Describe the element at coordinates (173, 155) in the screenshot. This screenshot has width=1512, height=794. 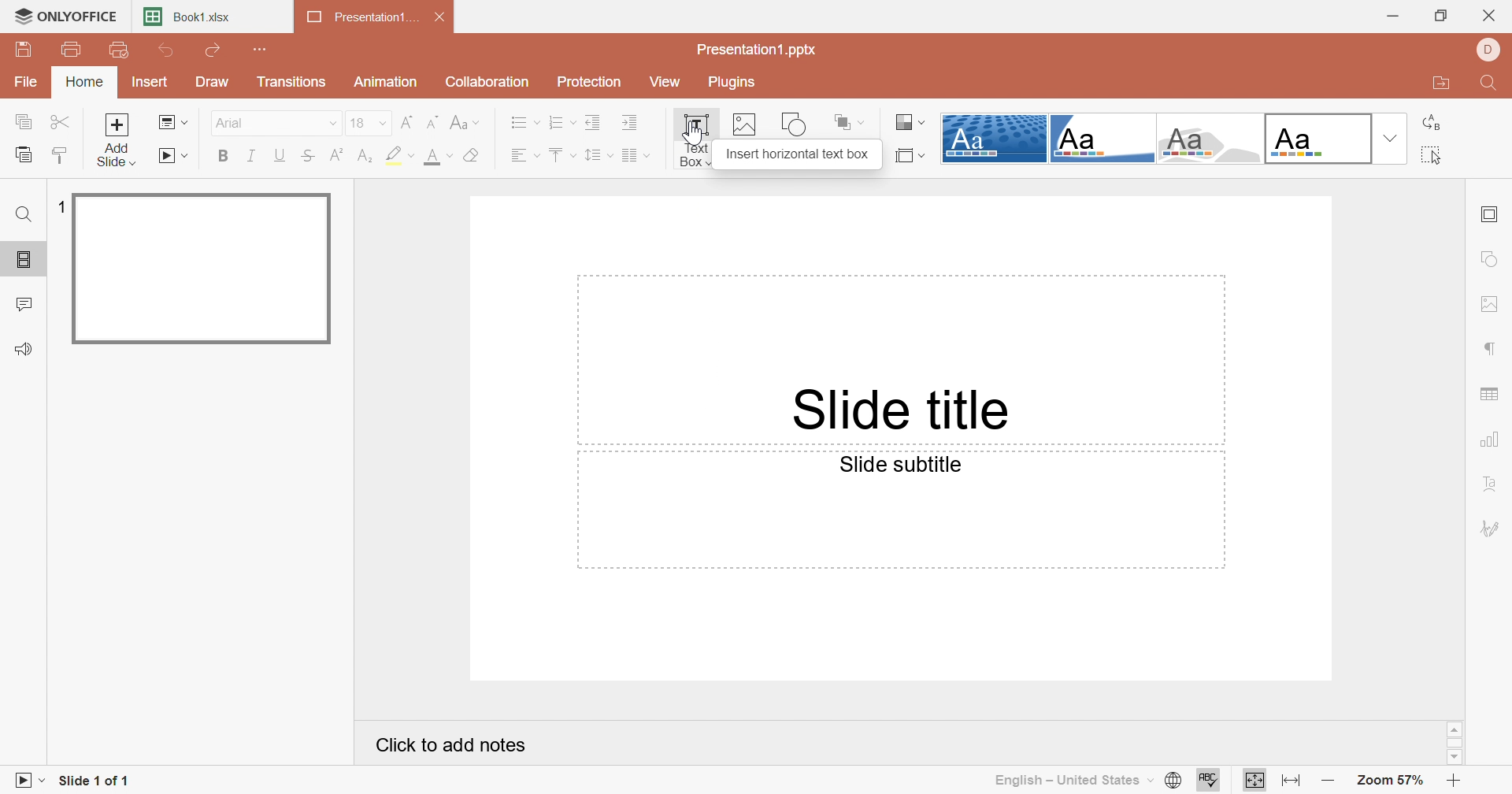
I see `Start slideshow` at that location.